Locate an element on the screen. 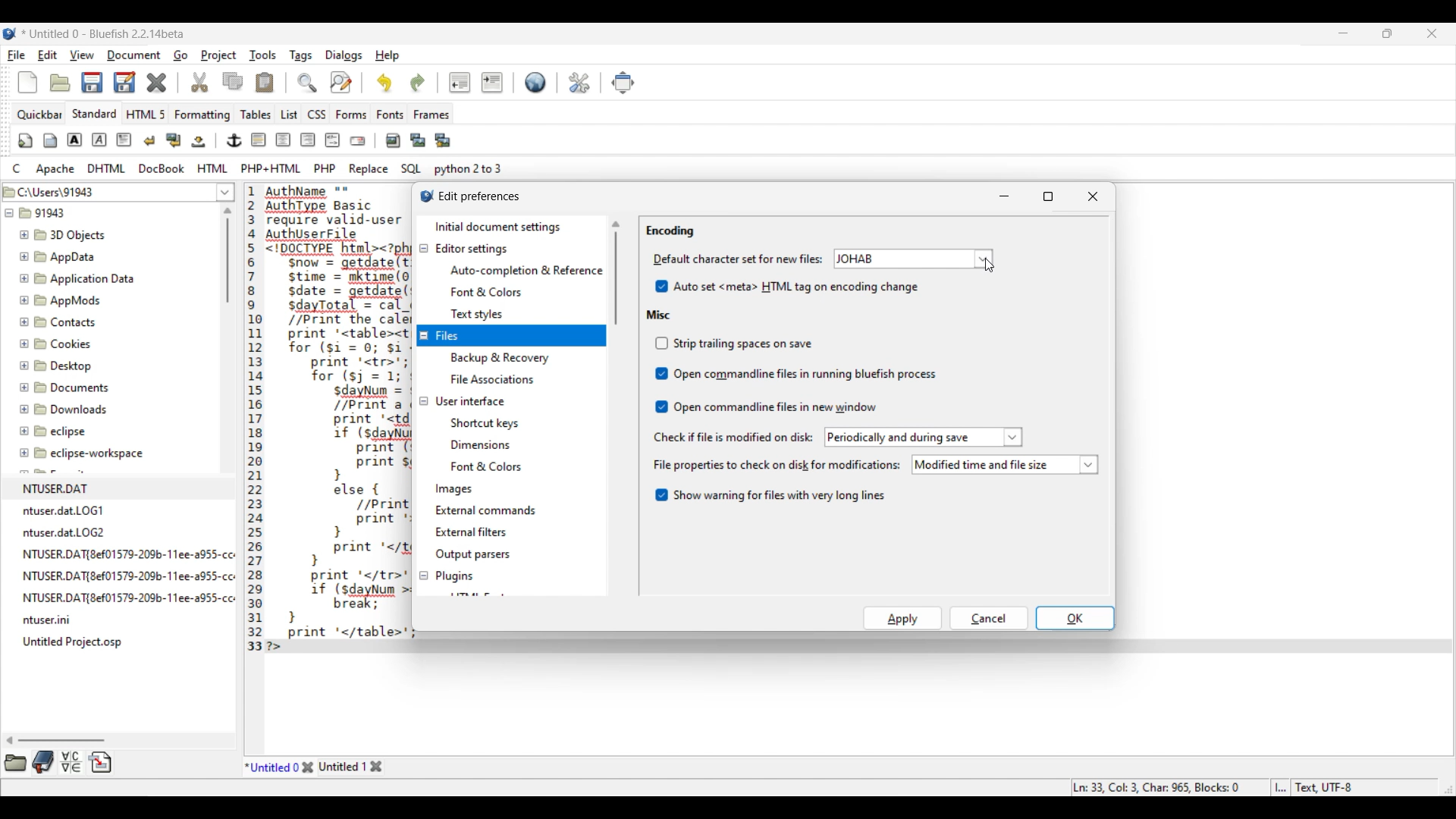  Indicates check if file is modified on disc is located at coordinates (733, 438).